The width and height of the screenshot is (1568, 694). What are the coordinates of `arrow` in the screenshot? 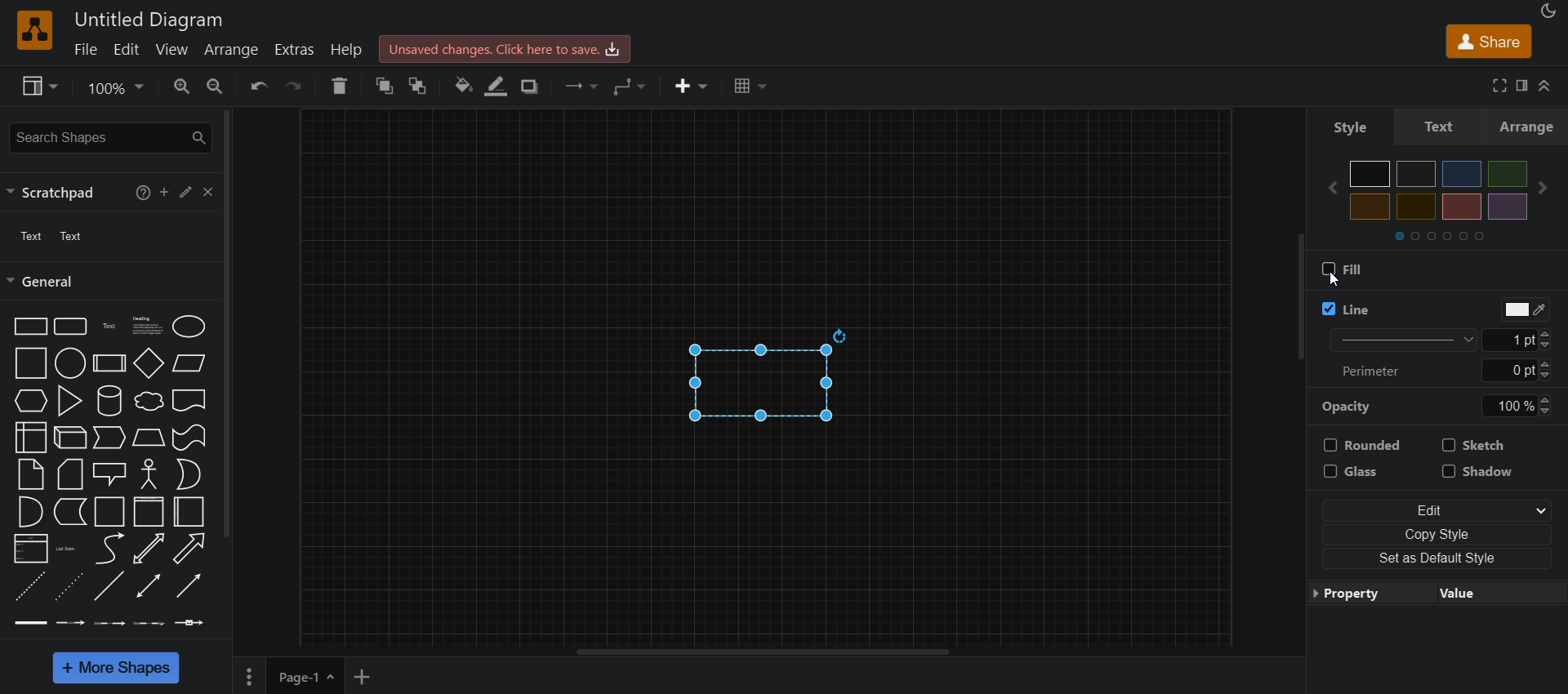 It's located at (188, 549).